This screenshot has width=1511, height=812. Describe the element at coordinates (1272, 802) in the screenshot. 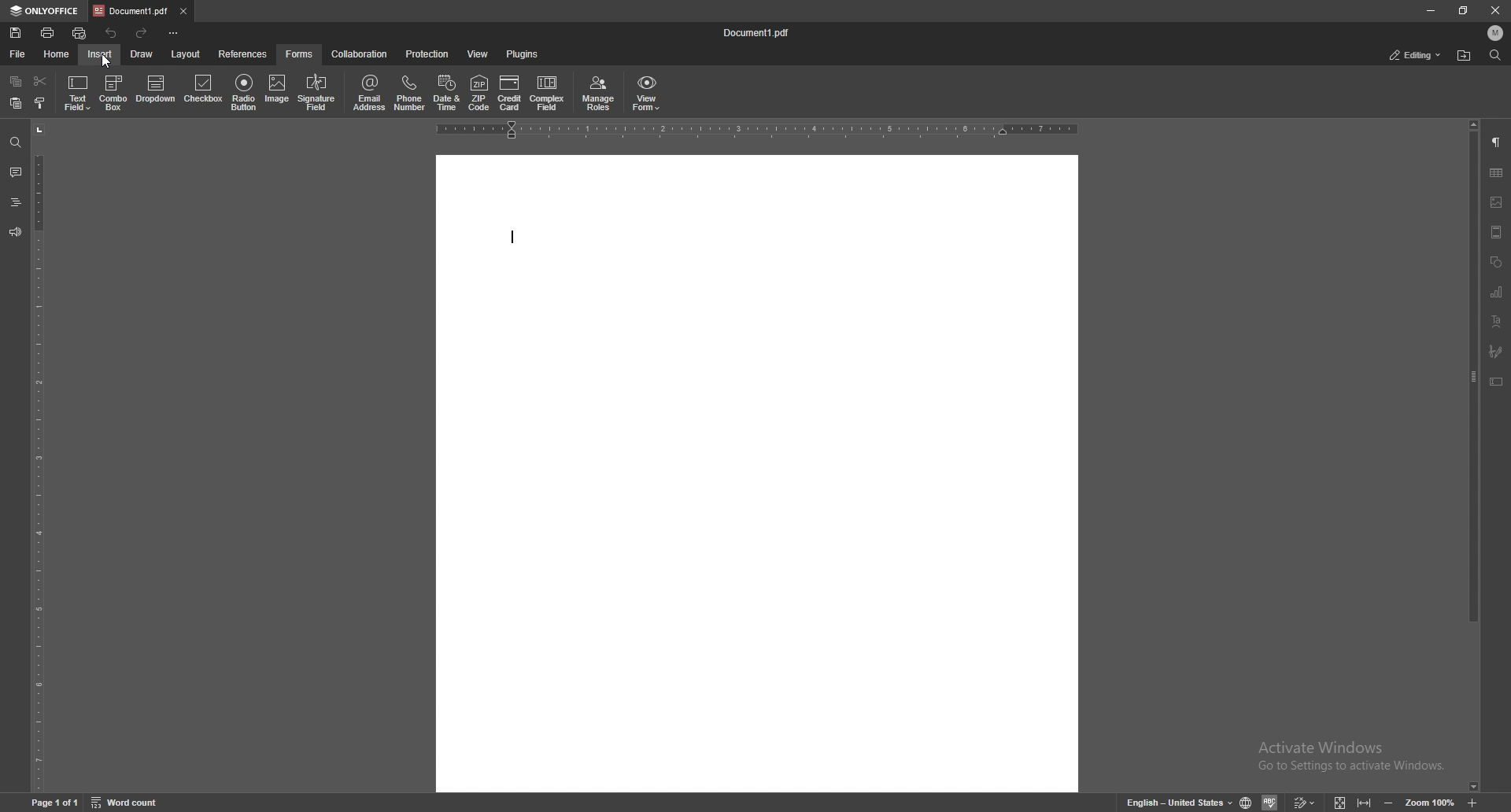

I see `spell check` at that location.